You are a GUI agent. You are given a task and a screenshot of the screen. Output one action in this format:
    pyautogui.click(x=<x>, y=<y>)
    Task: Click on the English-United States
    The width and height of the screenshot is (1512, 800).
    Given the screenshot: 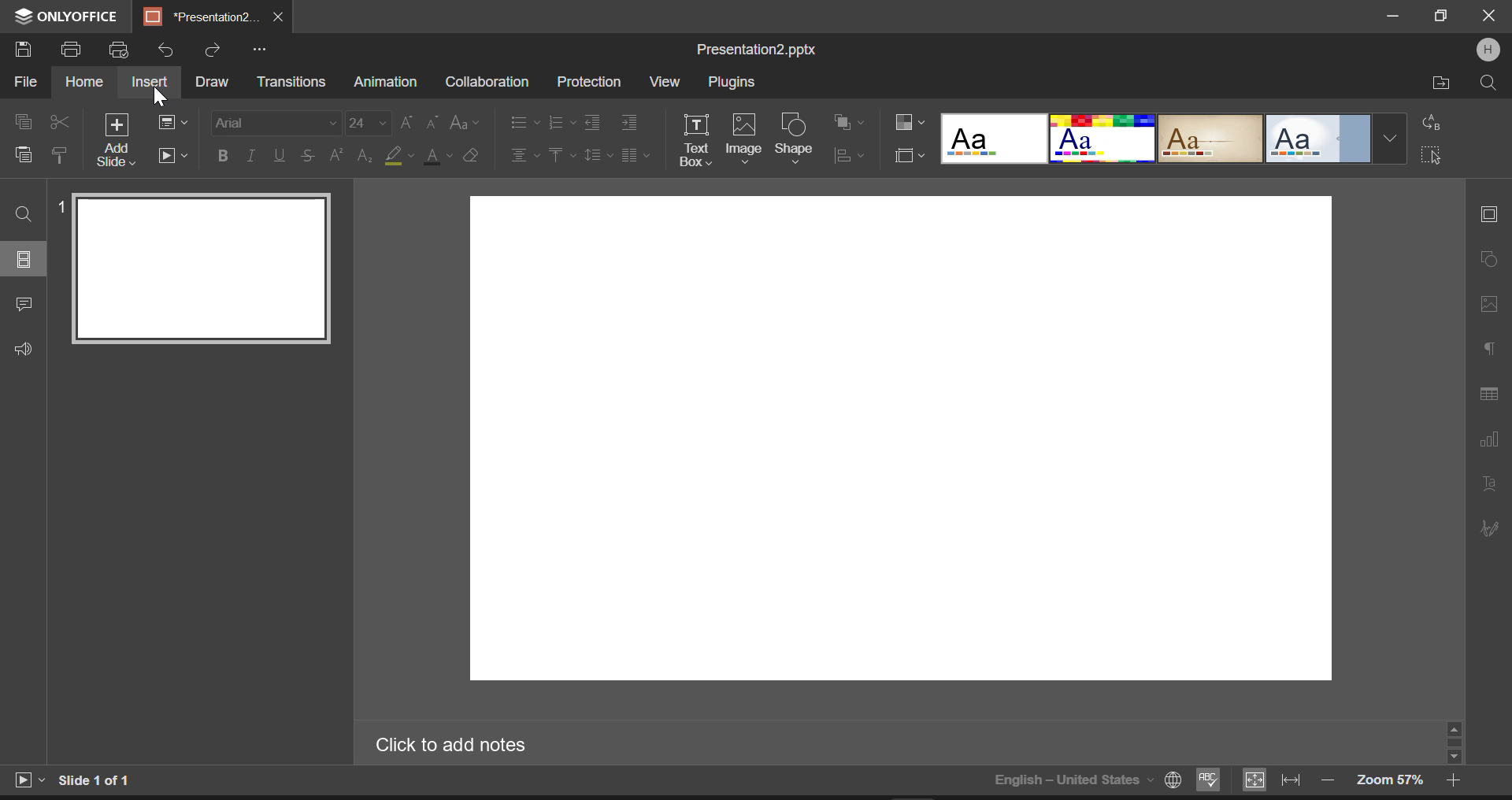 What is the action you would take?
    pyautogui.click(x=1086, y=780)
    